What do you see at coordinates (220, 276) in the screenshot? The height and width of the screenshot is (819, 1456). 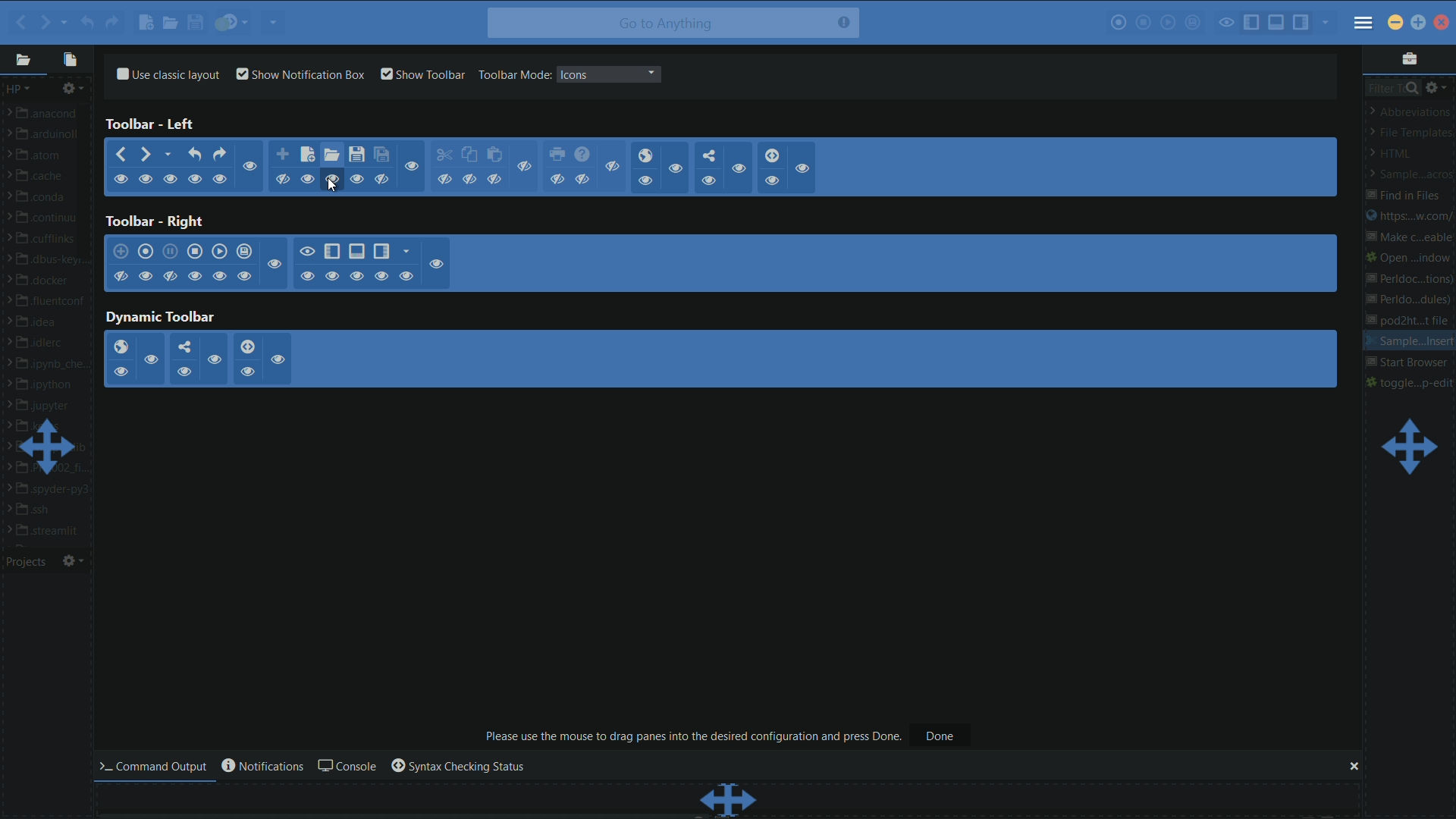 I see `hide/show` at bounding box center [220, 276].